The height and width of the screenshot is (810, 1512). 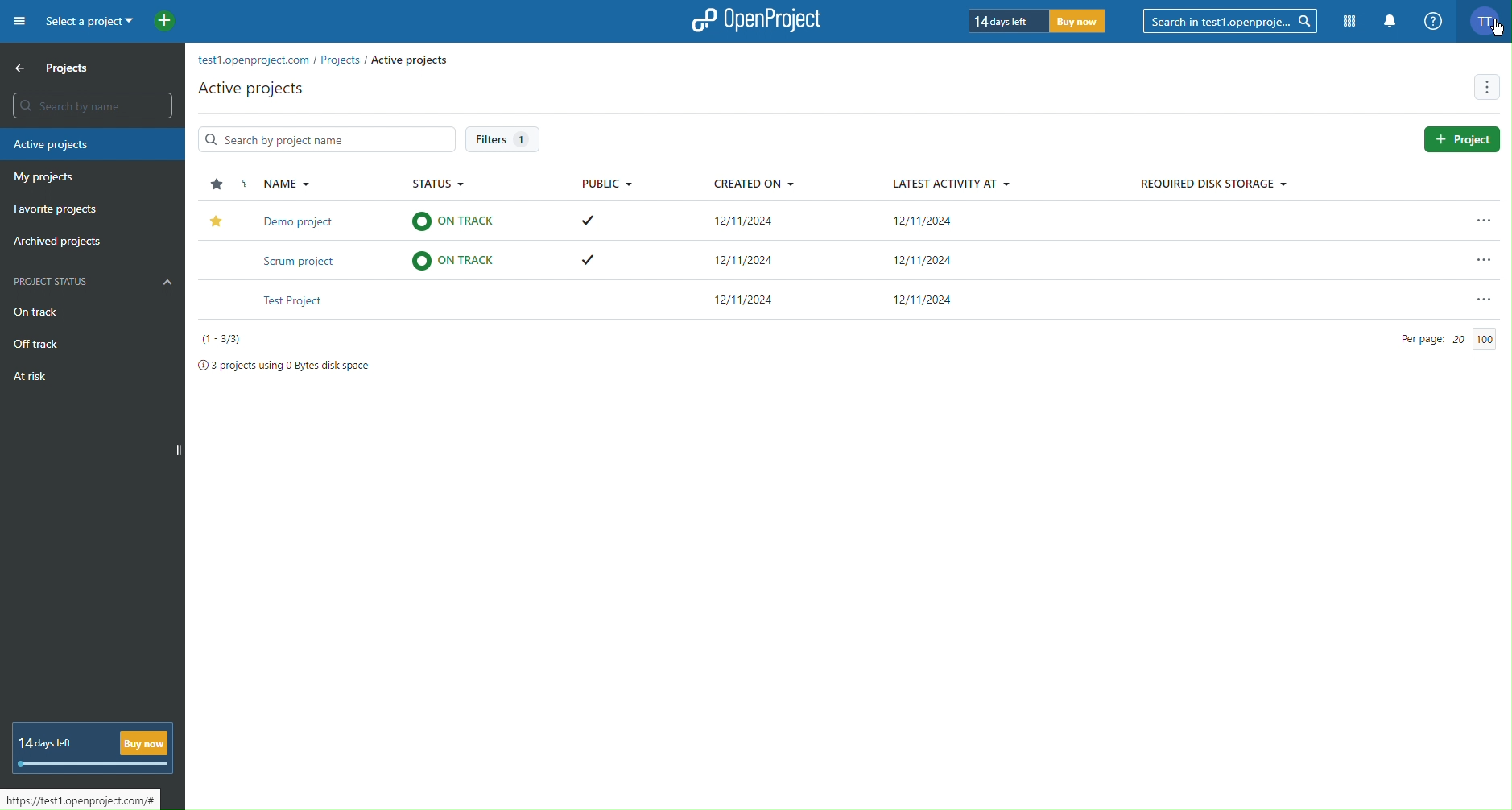 I want to click on Search by project name, so click(x=329, y=138).